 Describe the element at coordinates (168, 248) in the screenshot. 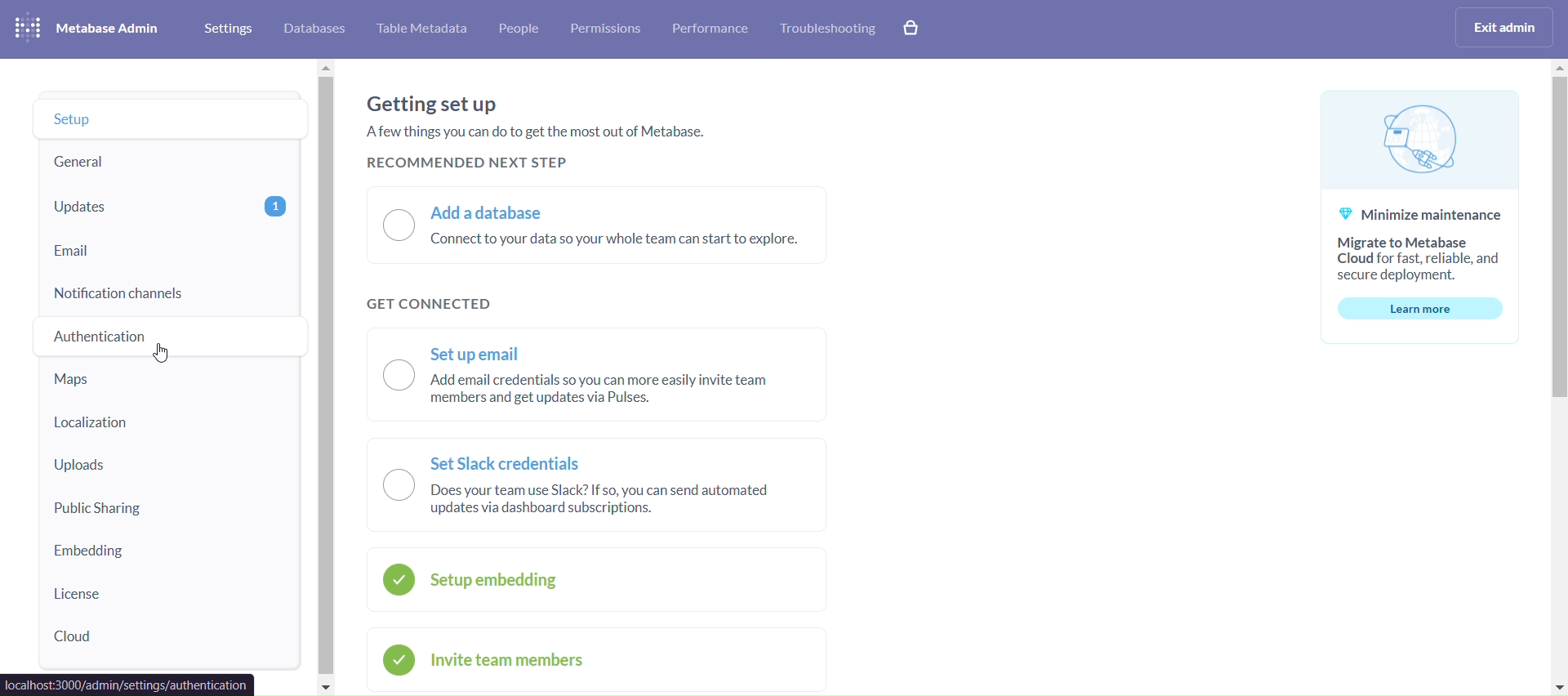

I see `email` at that location.